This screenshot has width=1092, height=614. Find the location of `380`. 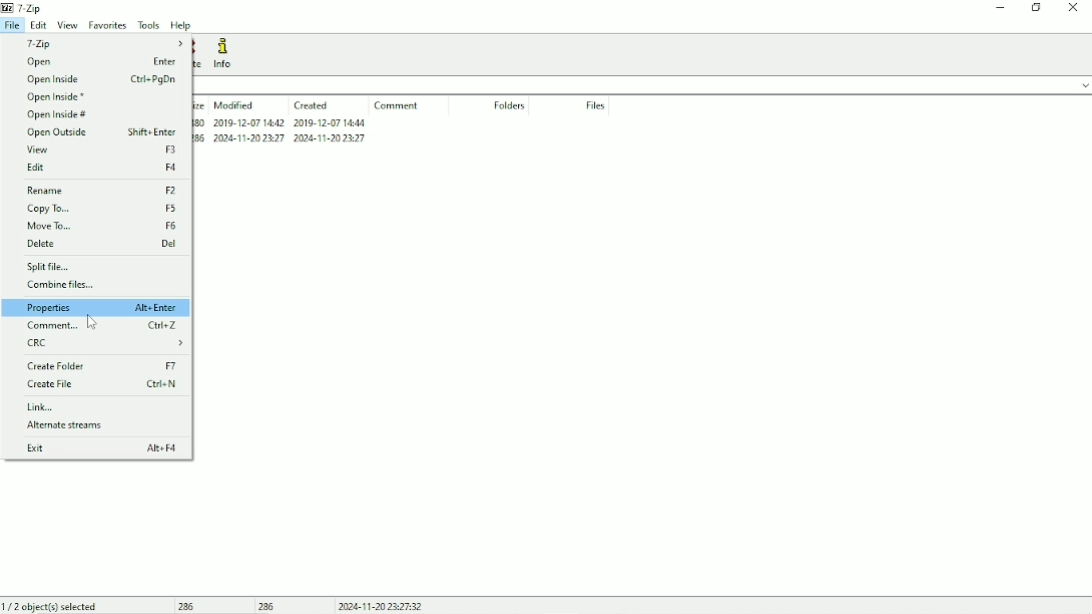

380 is located at coordinates (200, 122).